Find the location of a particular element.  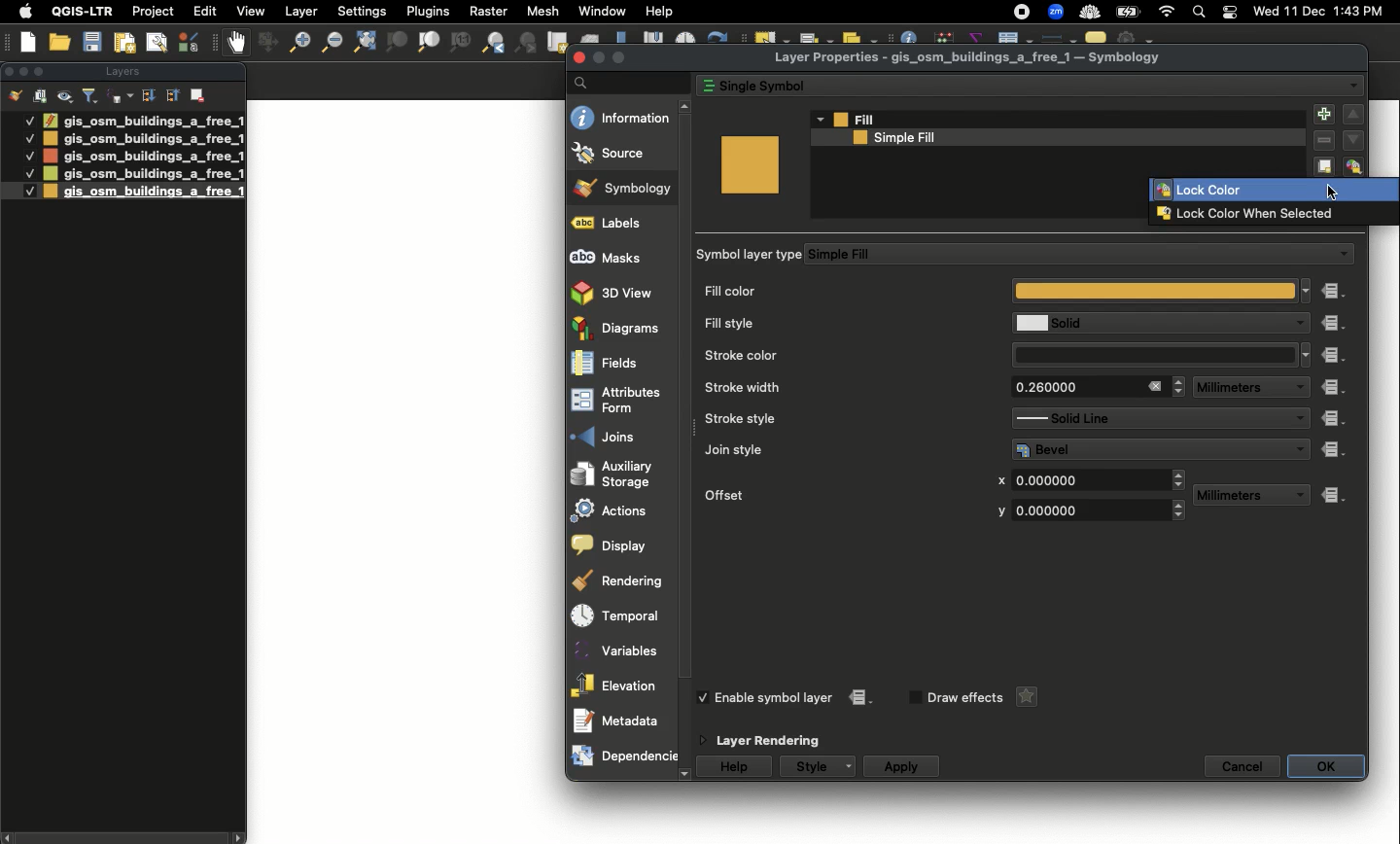

Soure is located at coordinates (620, 153).